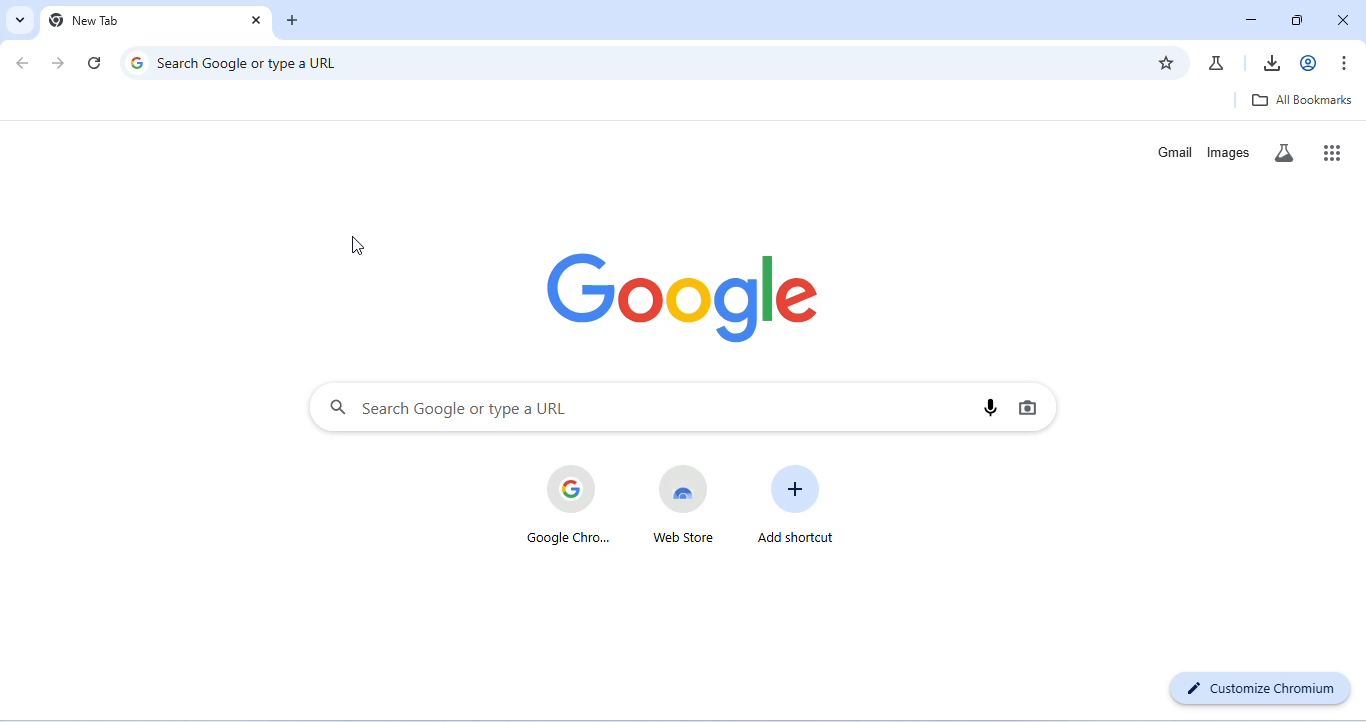 This screenshot has width=1366, height=722. I want to click on customize and control chromium, so click(1346, 63).